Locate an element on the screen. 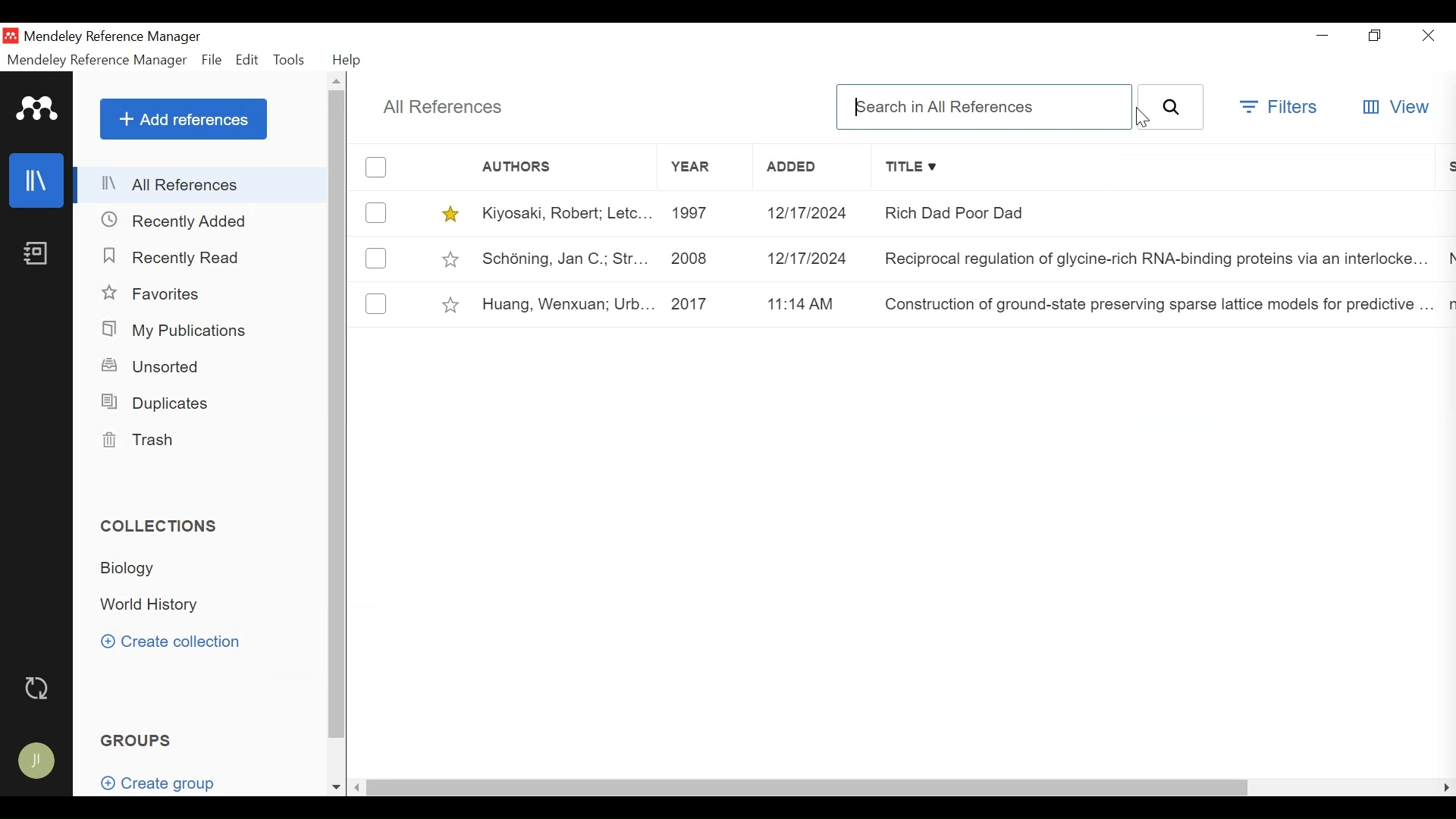 This screenshot has width=1456, height=819. Add References is located at coordinates (183, 118).